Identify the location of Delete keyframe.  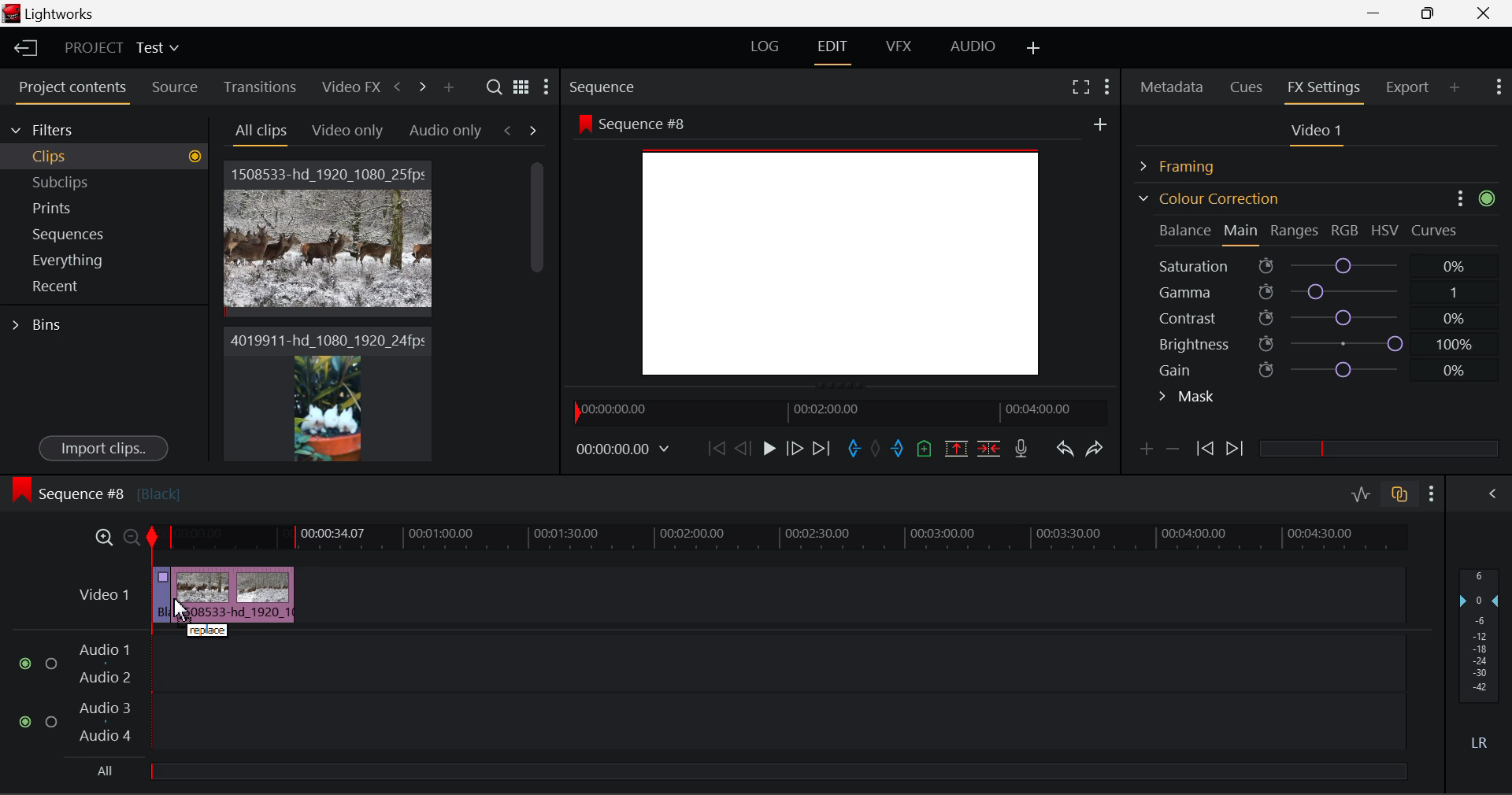
(1173, 452).